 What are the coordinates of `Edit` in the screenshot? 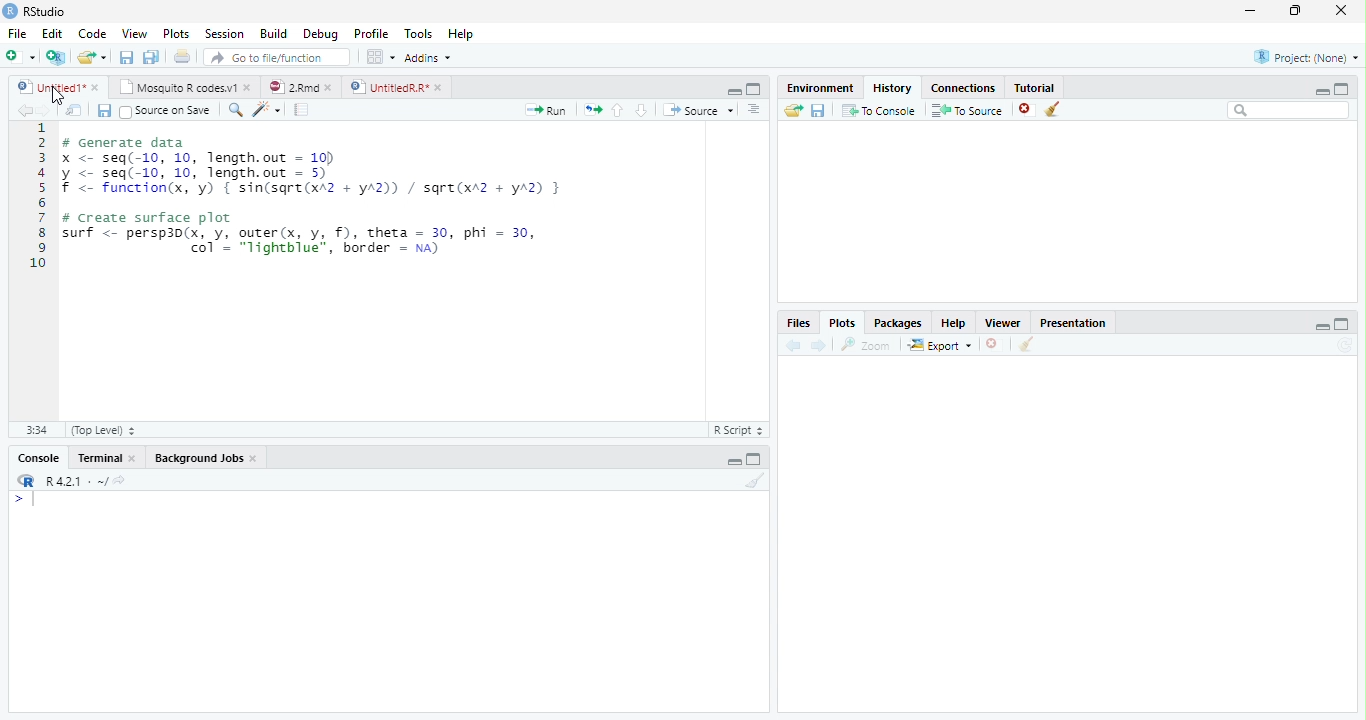 It's located at (51, 33).